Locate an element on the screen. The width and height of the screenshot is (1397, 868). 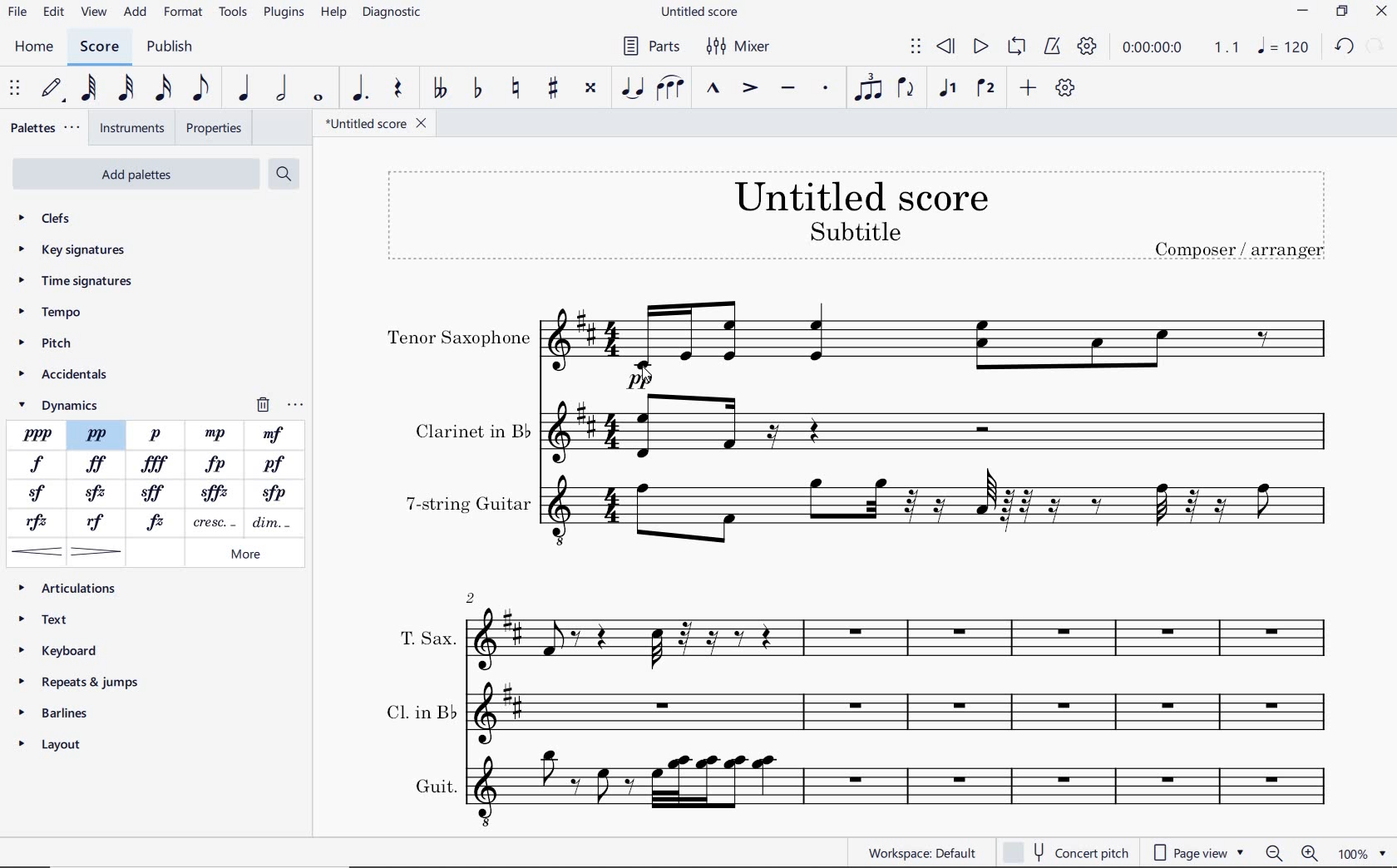
BARLINES is located at coordinates (57, 713).